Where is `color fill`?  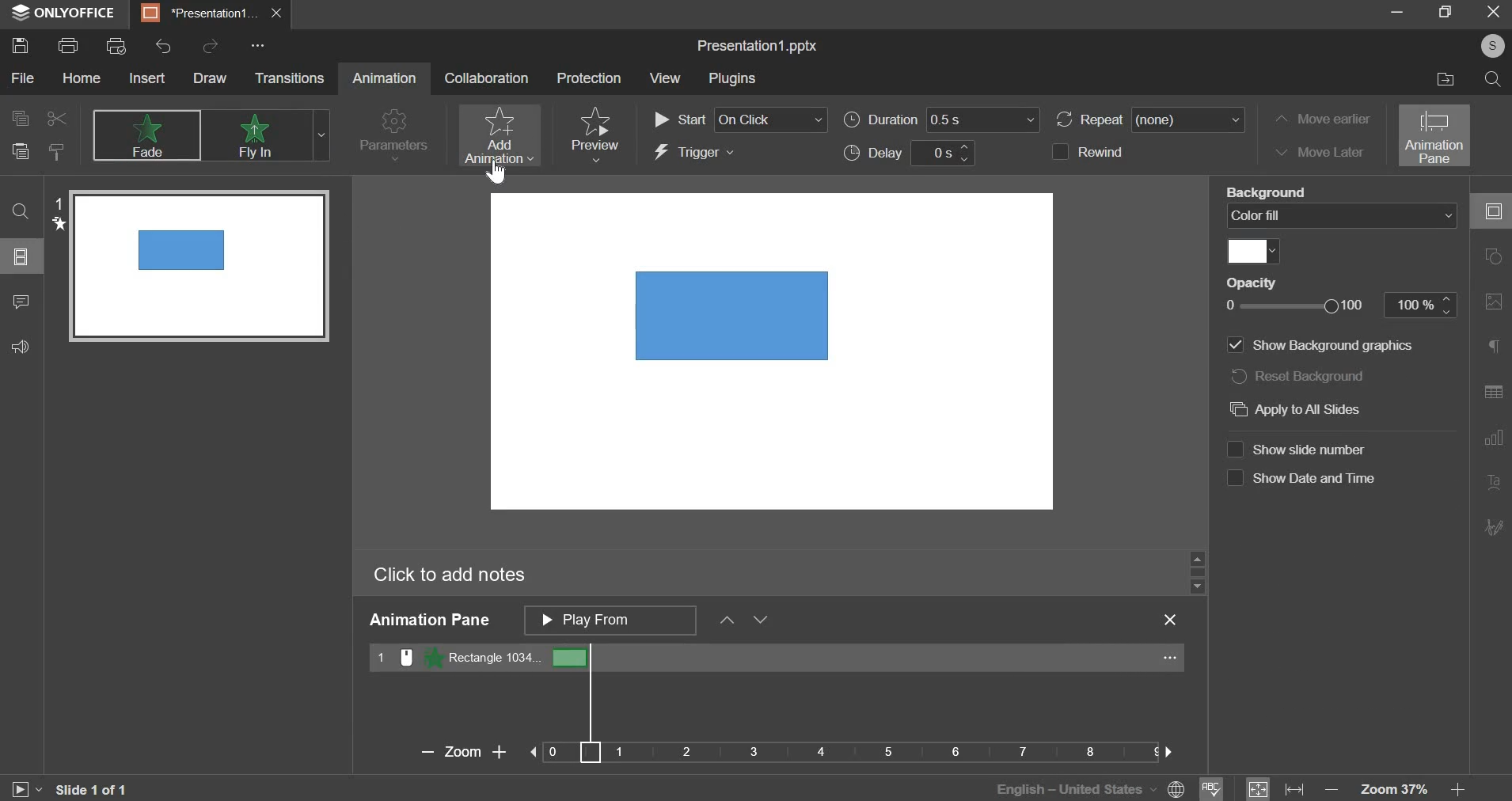 color fill is located at coordinates (1248, 250).